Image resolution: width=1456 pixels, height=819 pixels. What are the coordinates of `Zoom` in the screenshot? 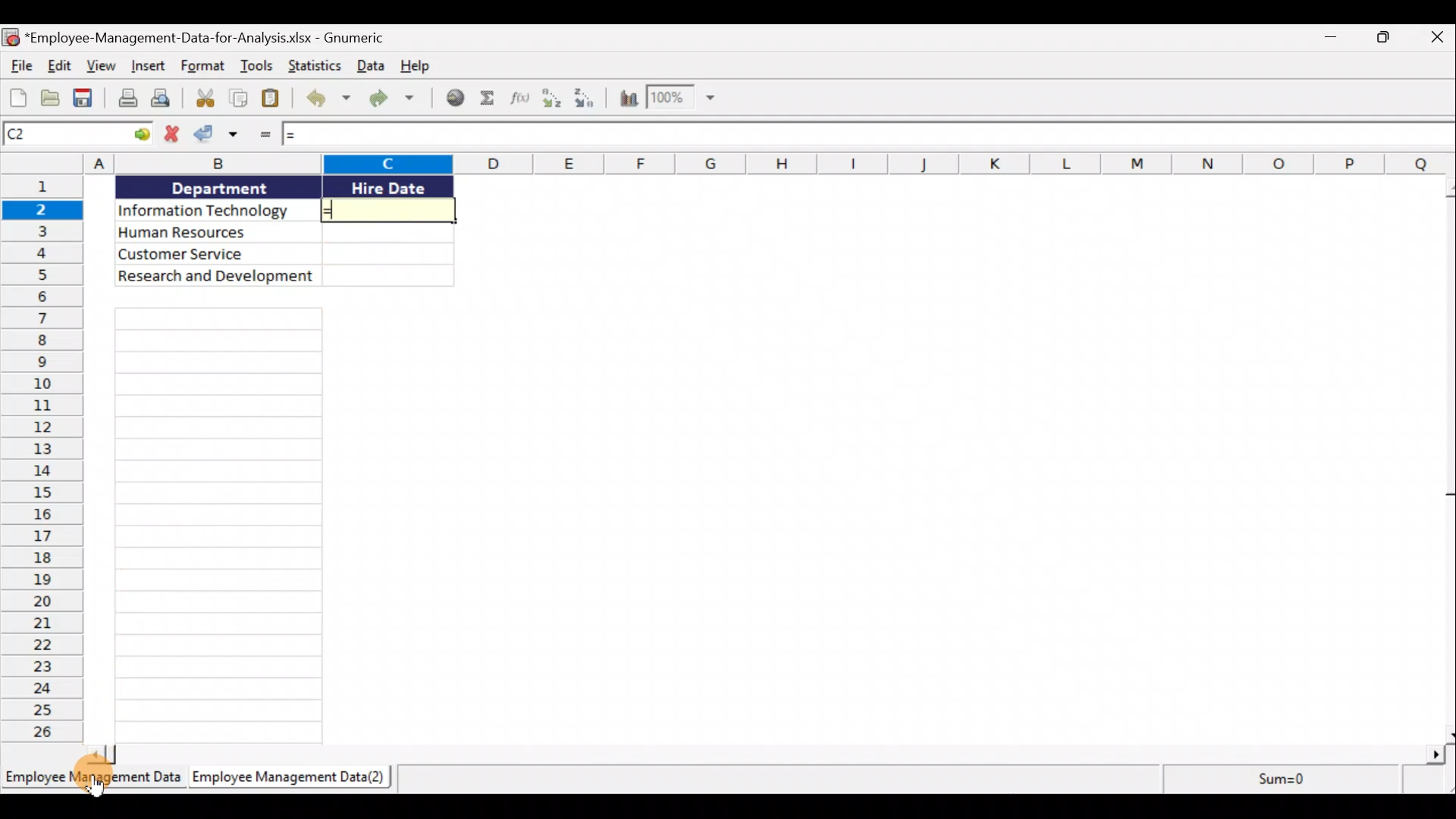 It's located at (684, 99).